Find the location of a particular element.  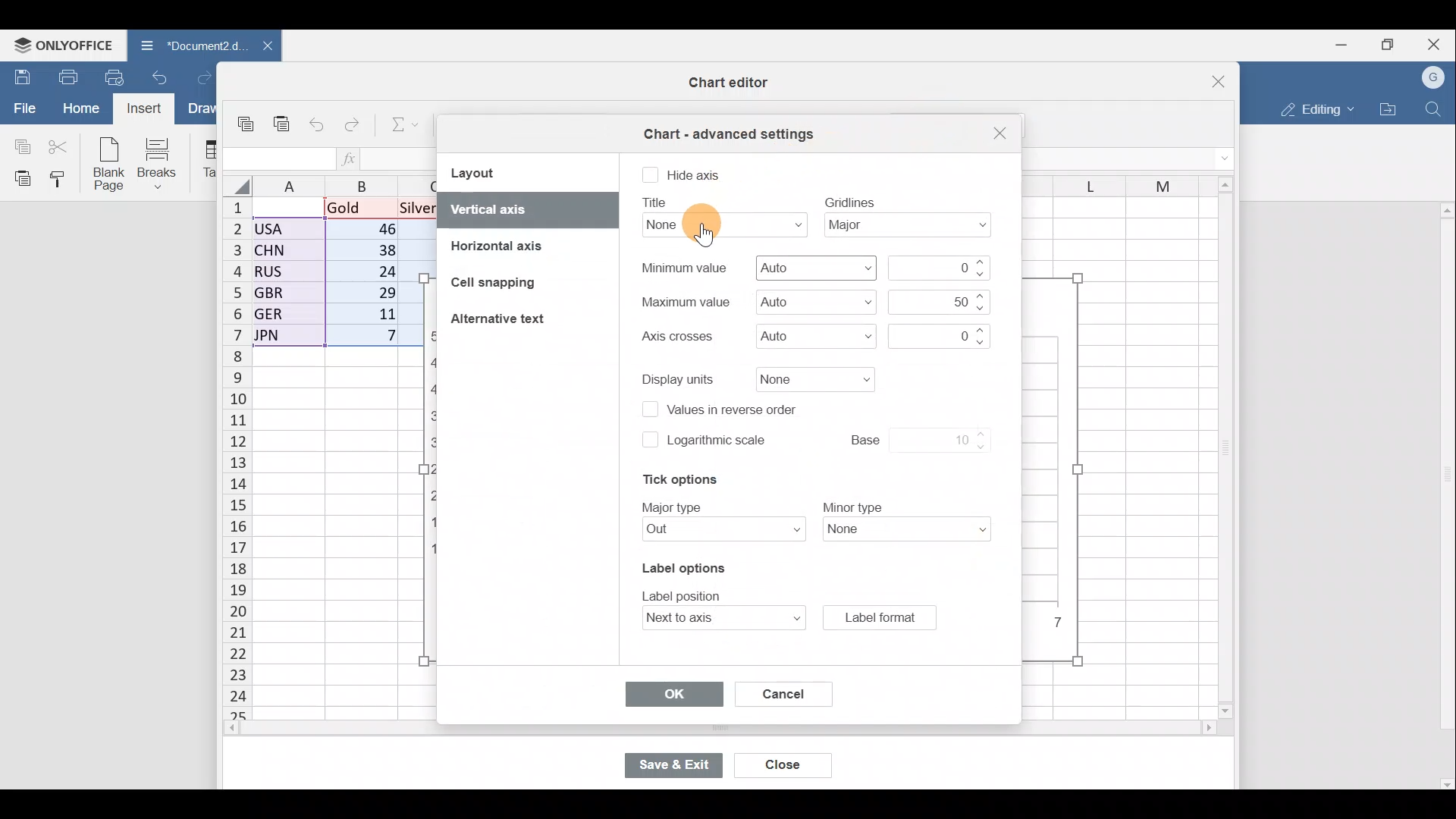

Maximum value is located at coordinates (811, 302).